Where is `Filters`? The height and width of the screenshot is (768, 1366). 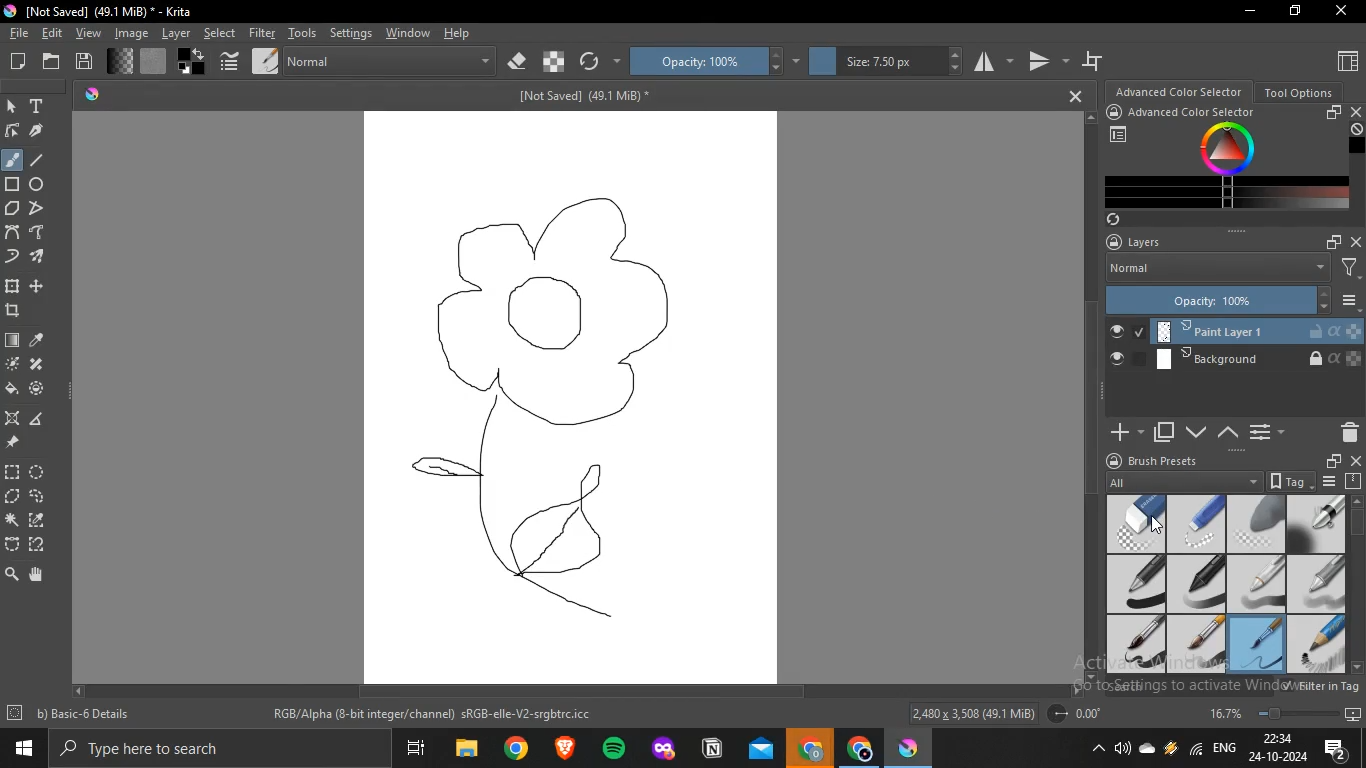 Filters is located at coordinates (1351, 269).